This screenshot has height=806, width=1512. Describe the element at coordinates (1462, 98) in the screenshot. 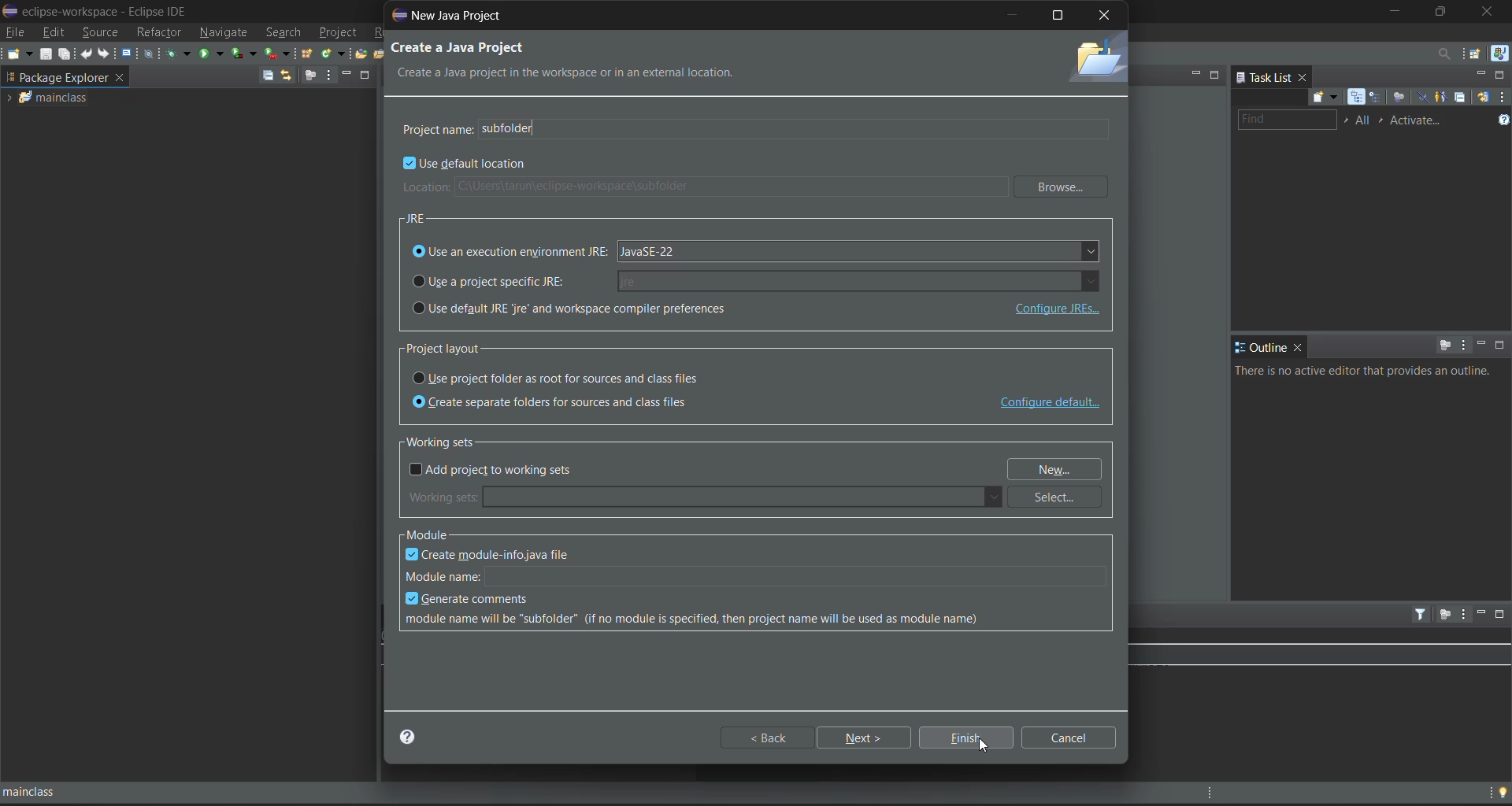

I see `collapse all` at that location.